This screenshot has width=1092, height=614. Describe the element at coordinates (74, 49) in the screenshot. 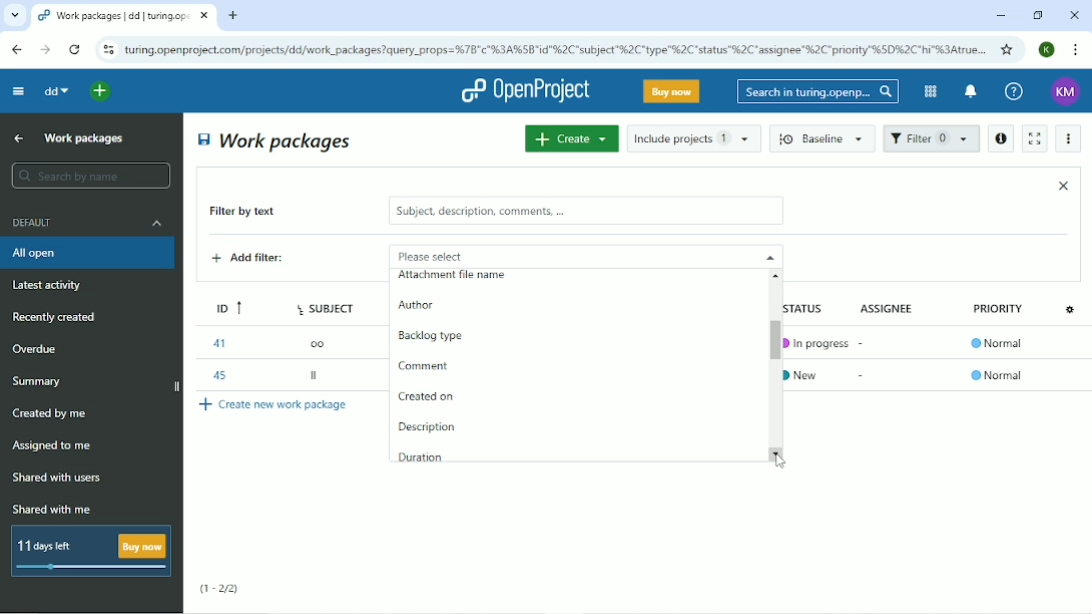

I see `Reload this page` at that location.